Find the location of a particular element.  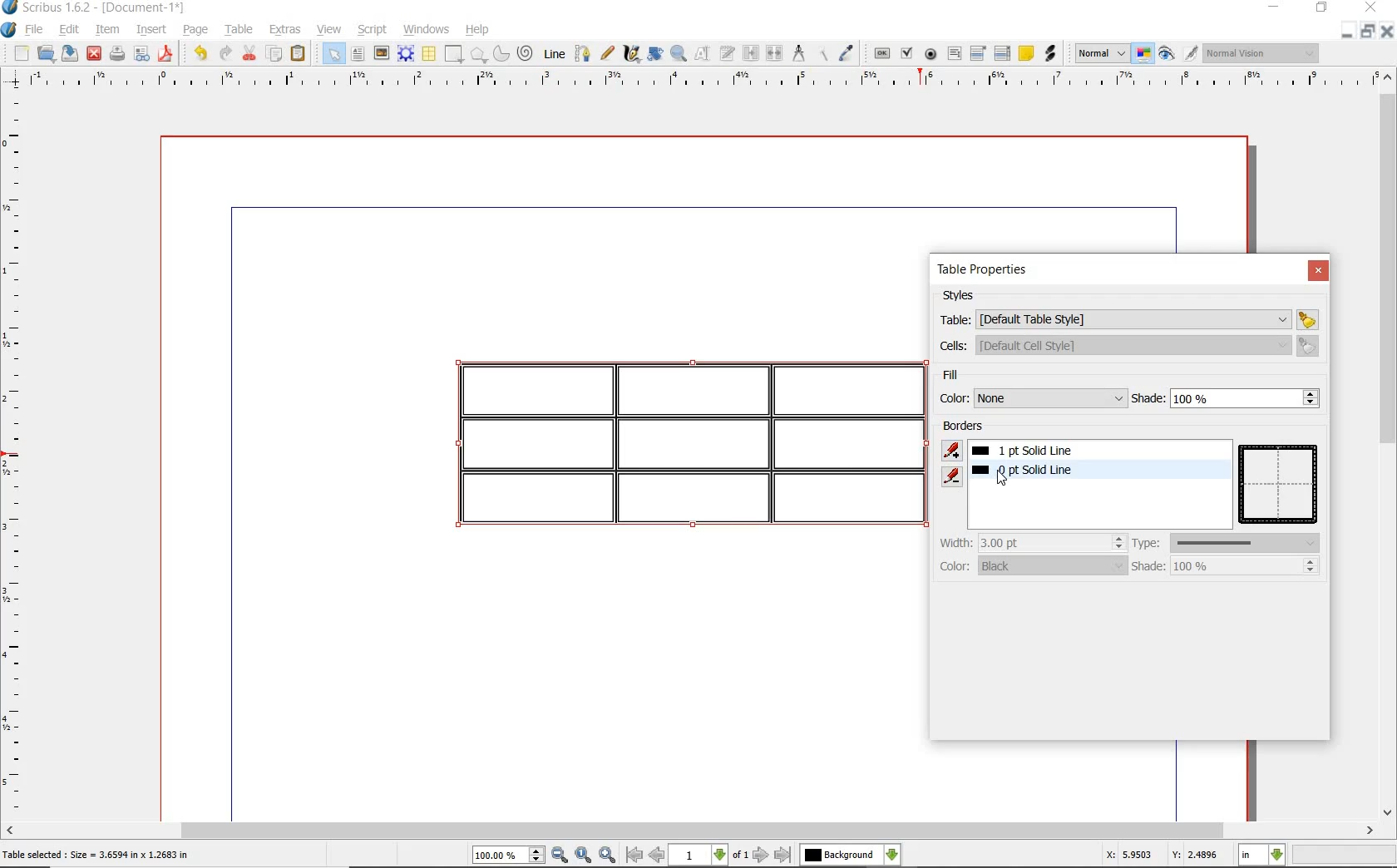

border added is located at coordinates (1077, 469).